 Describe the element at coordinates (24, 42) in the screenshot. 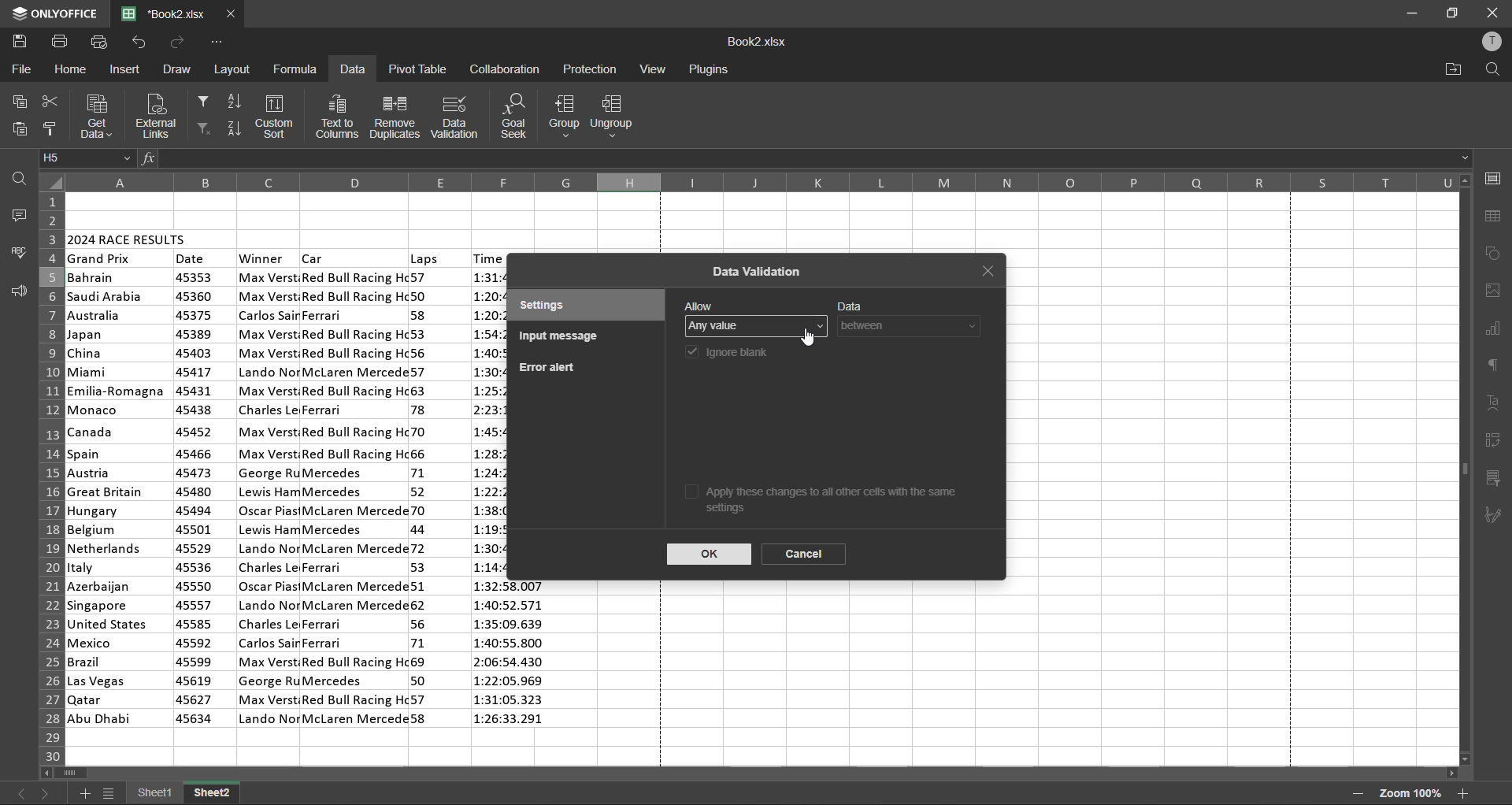

I see `save` at that location.